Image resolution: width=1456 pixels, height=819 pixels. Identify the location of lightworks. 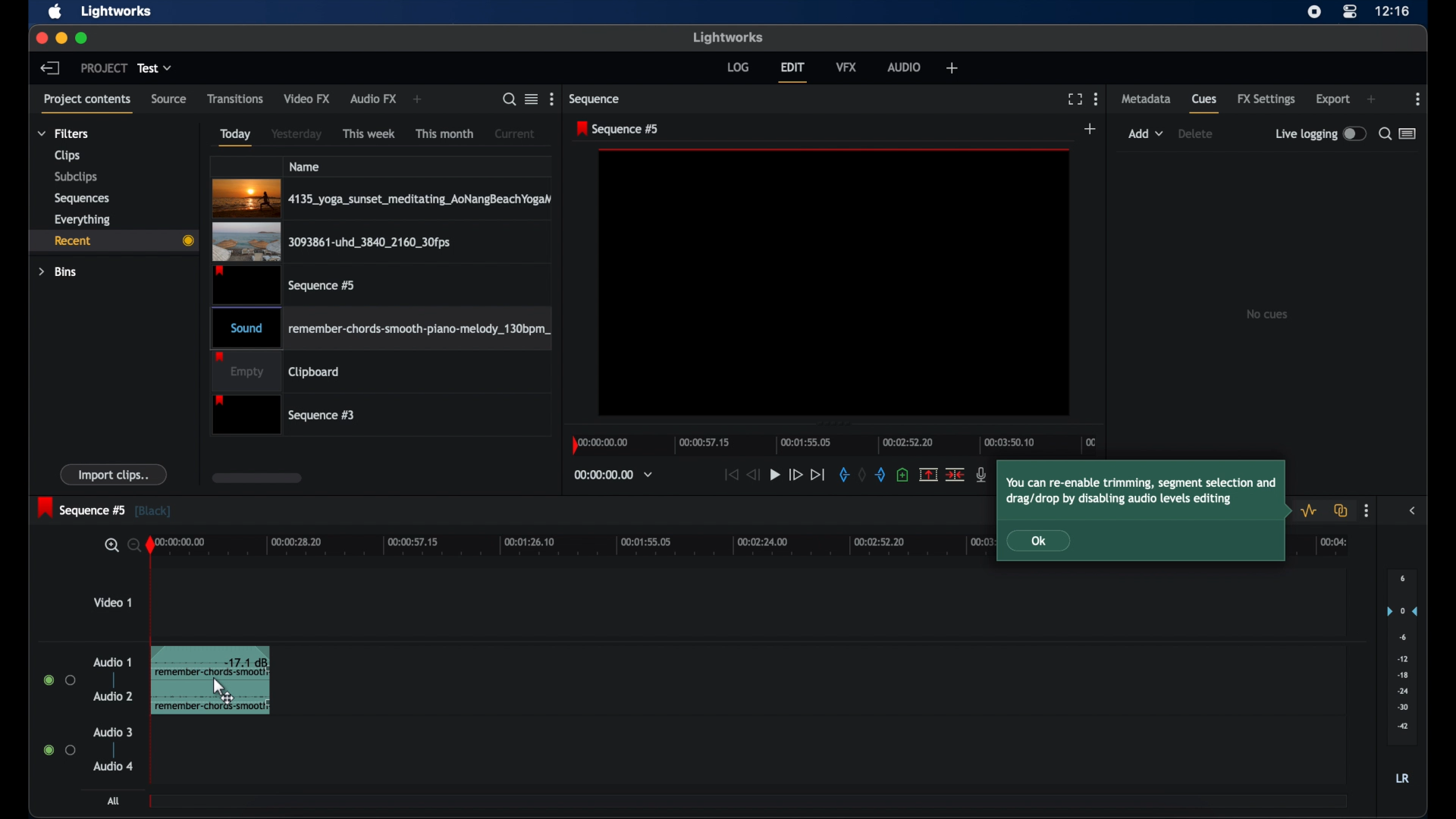
(730, 38).